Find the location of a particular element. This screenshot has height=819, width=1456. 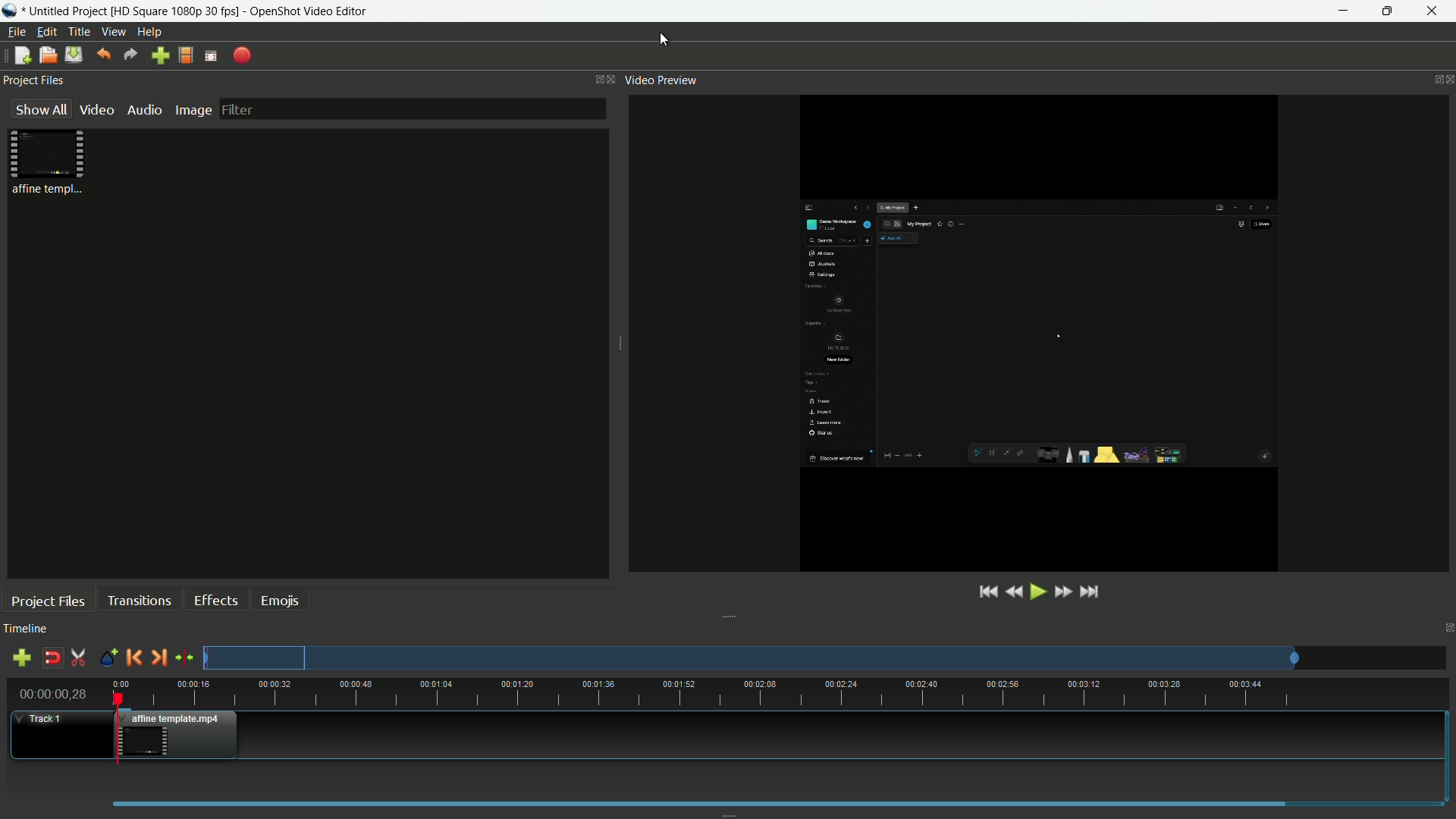

video preview is located at coordinates (661, 80).